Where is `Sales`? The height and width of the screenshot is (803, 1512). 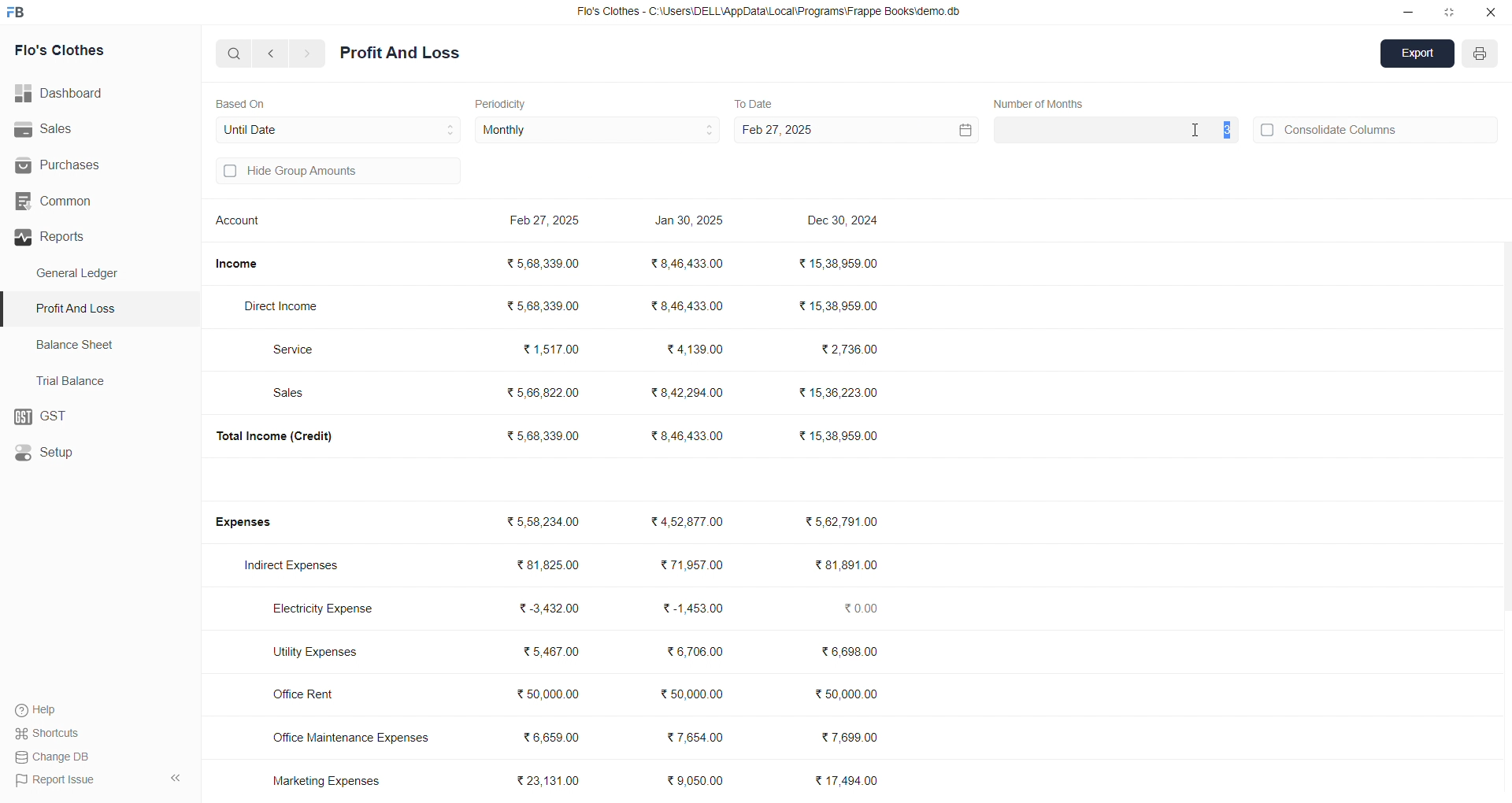
Sales is located at coordinates (296, 394).